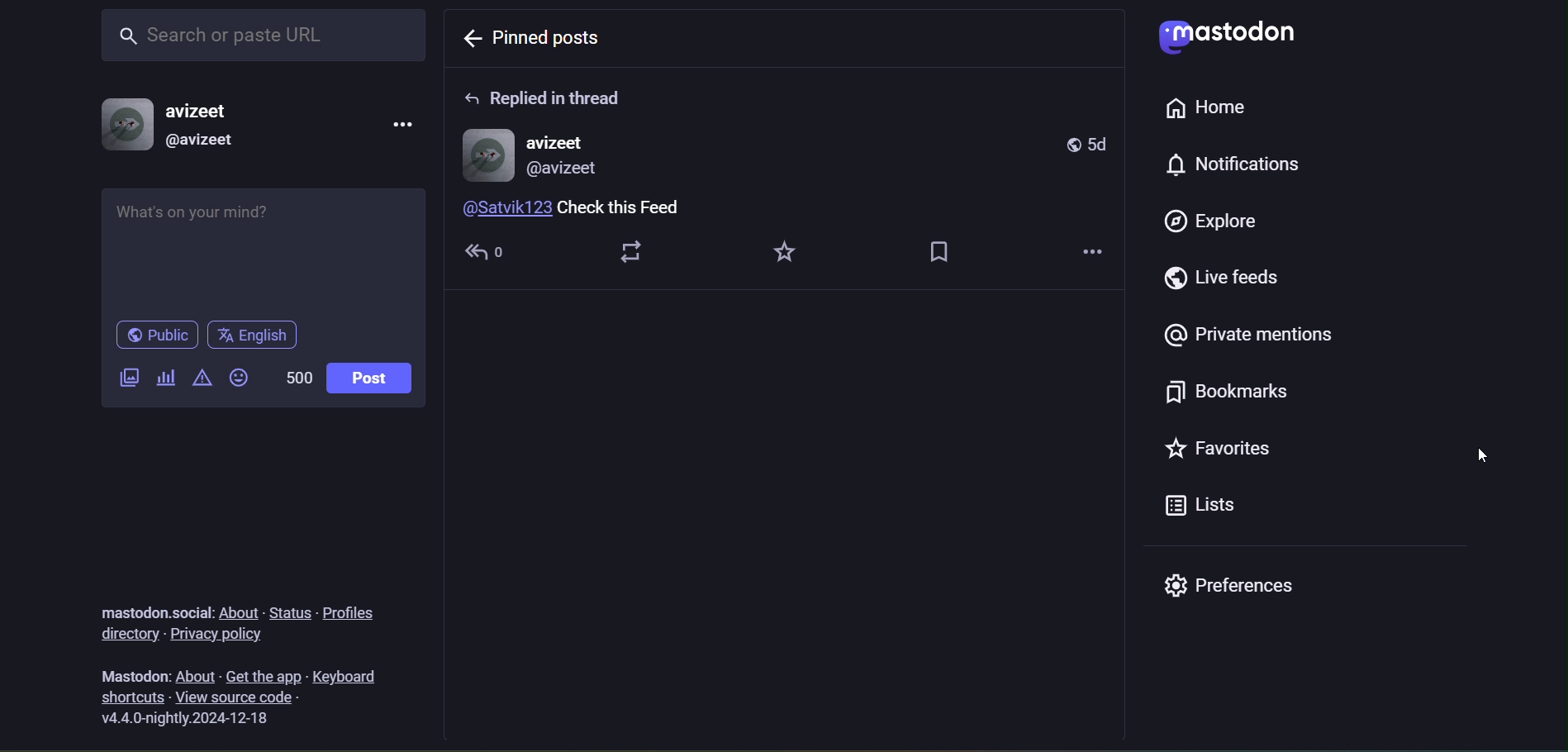  Describe the element at coordinates (207, 112) in the screenshot. I see `username` at that location.